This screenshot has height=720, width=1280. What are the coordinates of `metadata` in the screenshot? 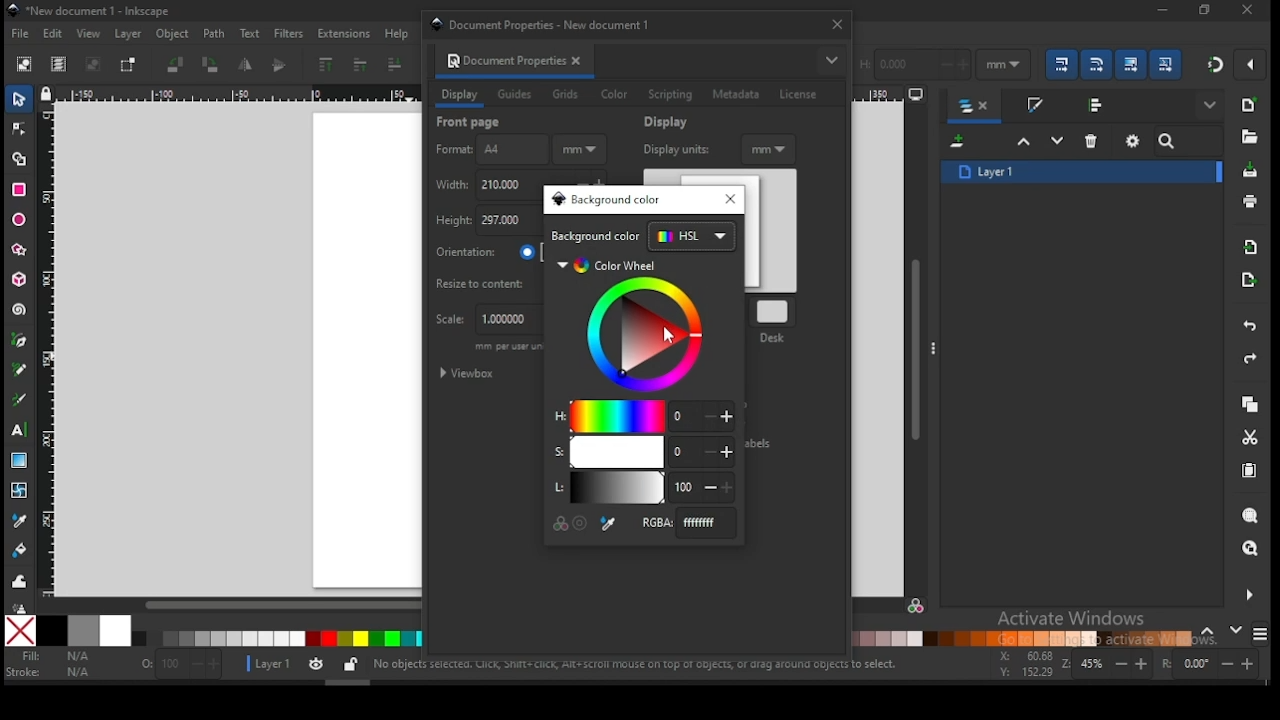 It's located at (737, 94).